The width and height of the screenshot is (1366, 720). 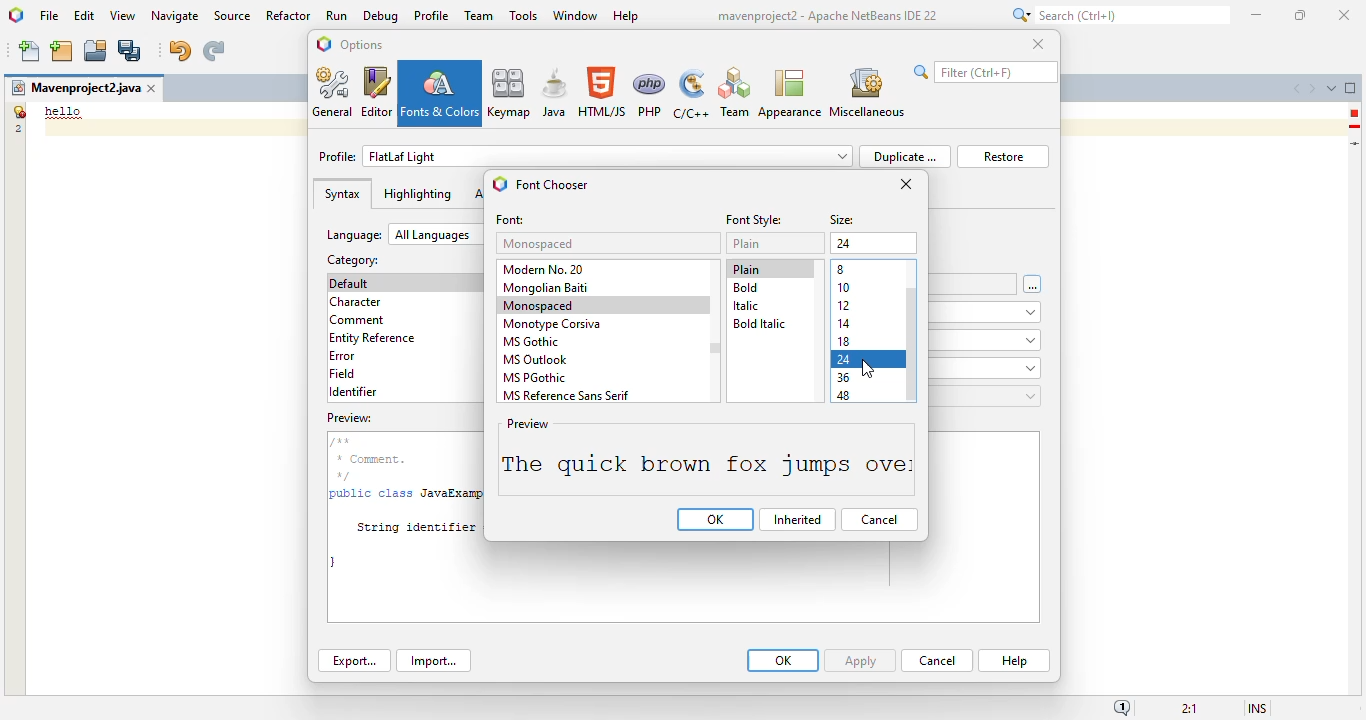 What do you see at coordinates (523, 15) in the screenshot?
I see `tools` at bounding box center [523, 15].